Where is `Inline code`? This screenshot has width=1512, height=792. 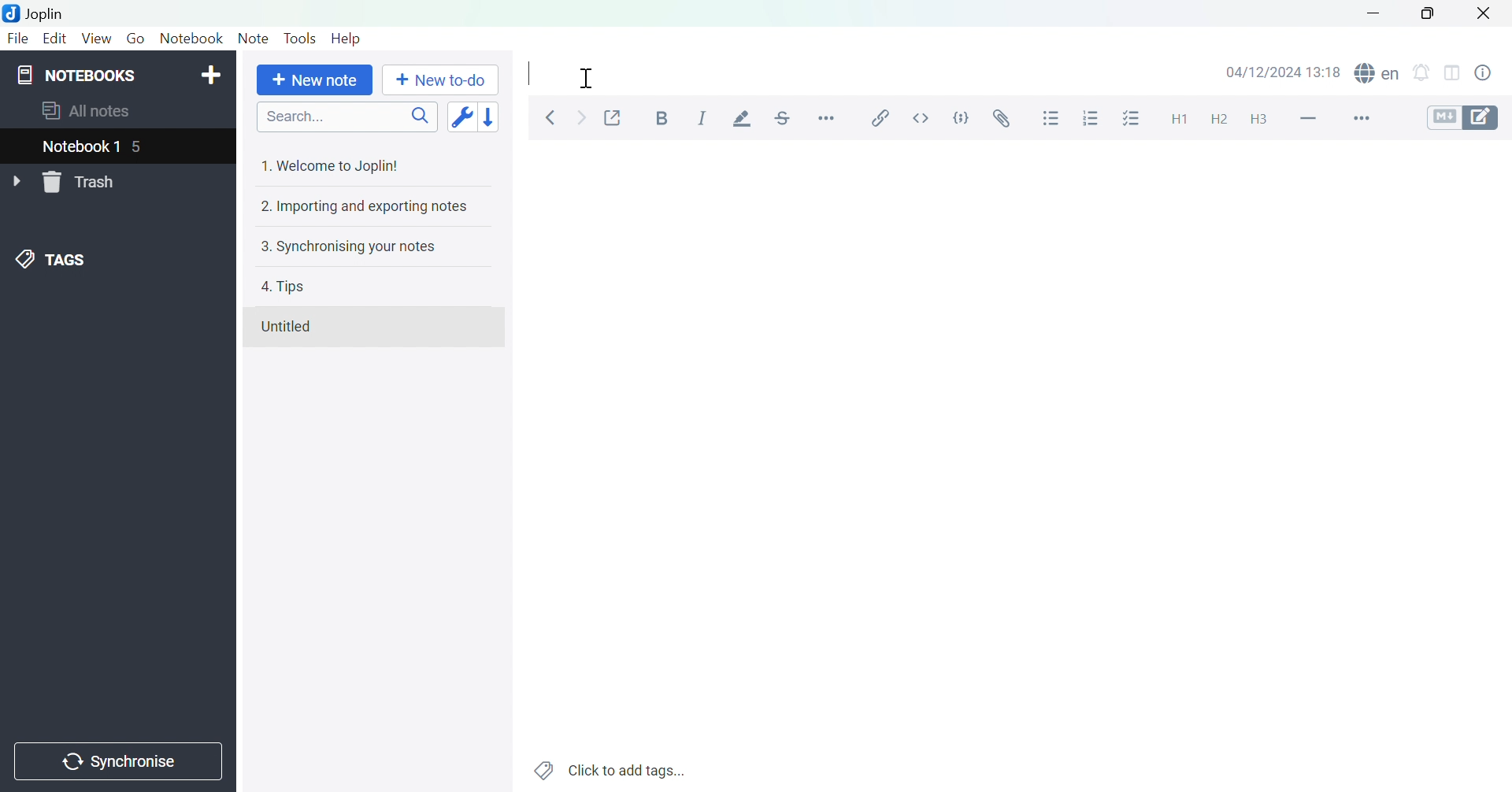
Inline code is located at coordinates (919, 120).